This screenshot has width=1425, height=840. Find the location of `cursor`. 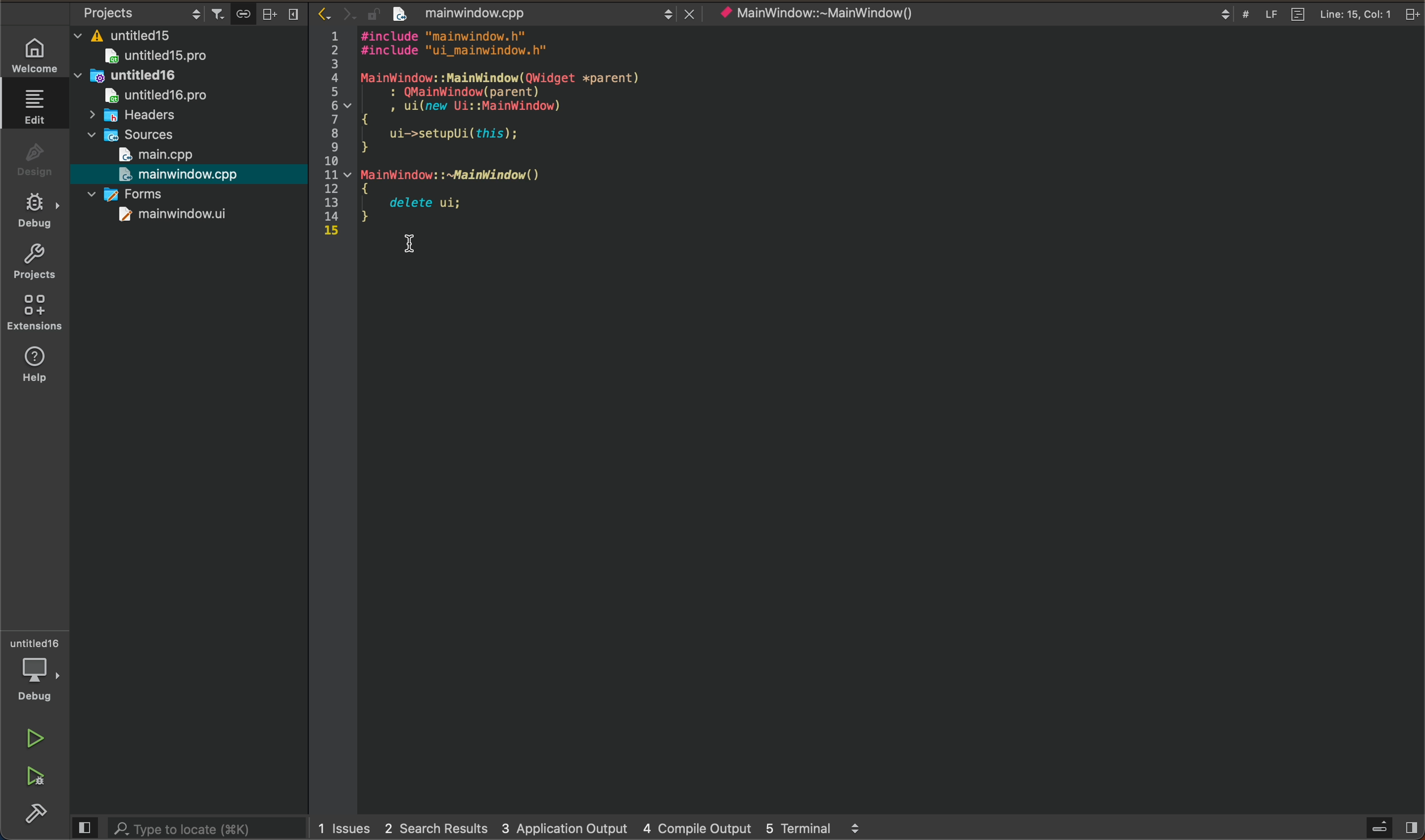

cursor is located at coordinates (413, 241).